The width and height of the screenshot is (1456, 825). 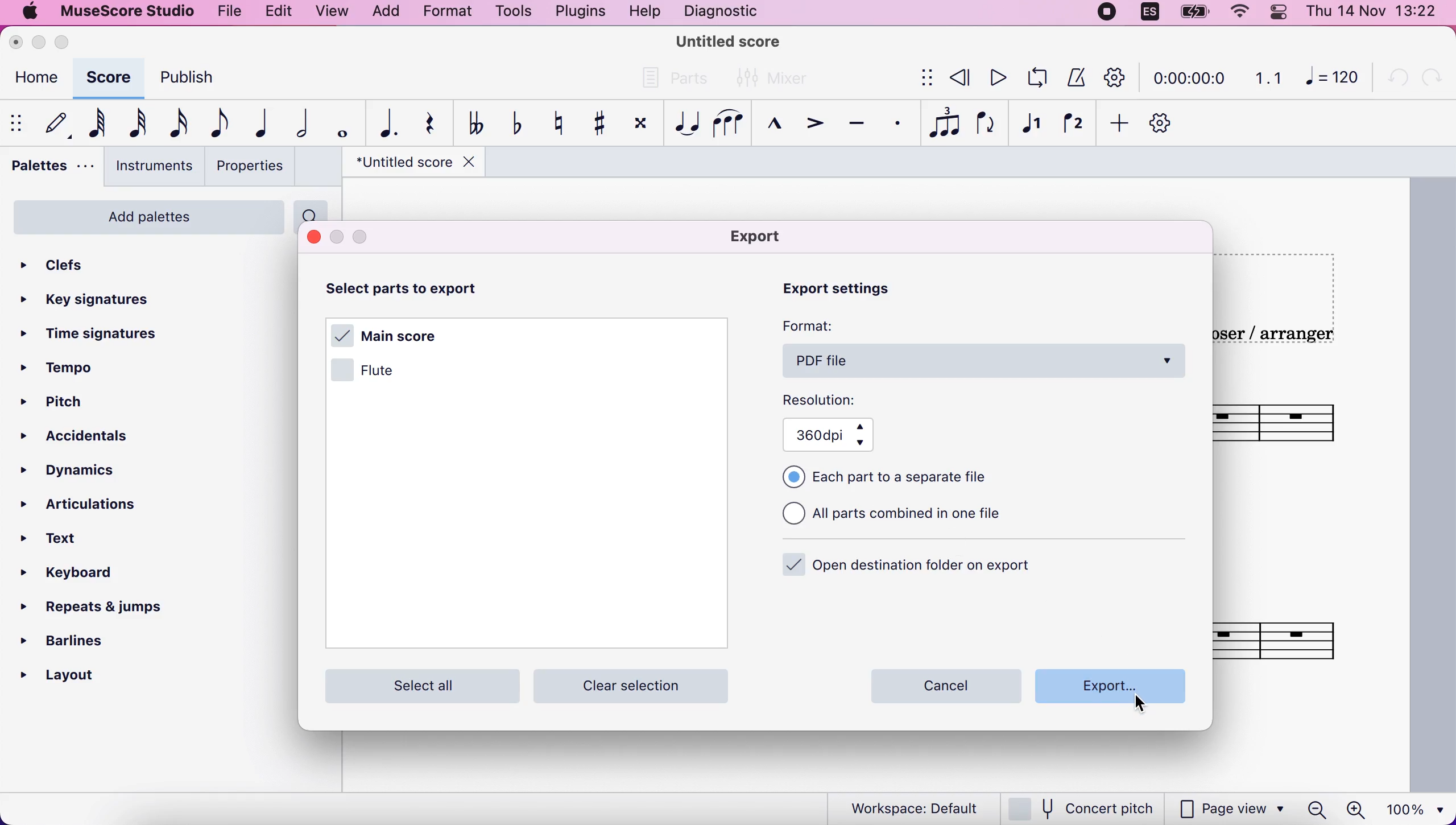 What do you see at coordinates (772, 127) in the screenshot?
I see `marcato` at bounding box center [772, 127].